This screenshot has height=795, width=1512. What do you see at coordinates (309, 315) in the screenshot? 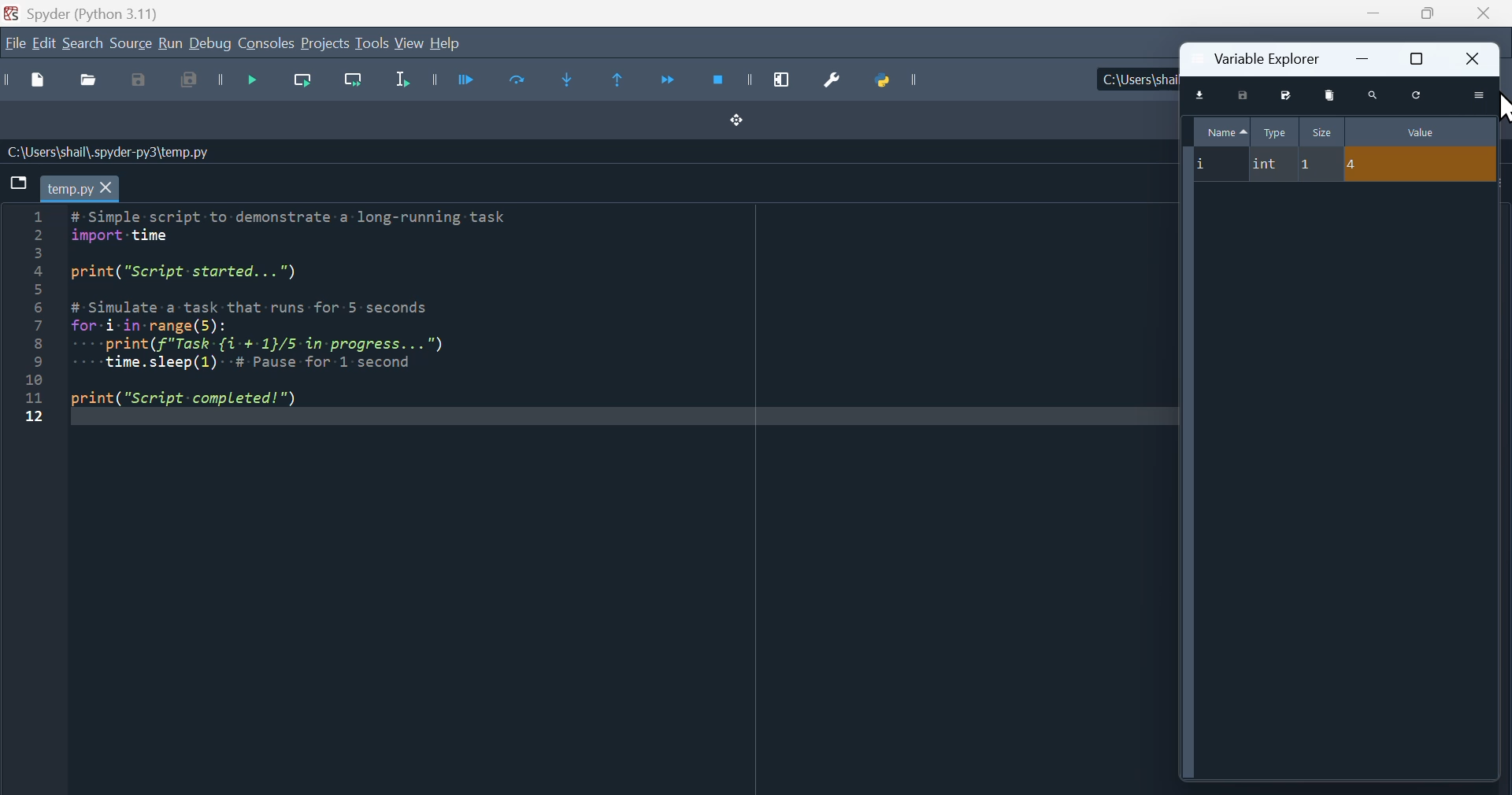
I see `code` at bounding box center [309, 315].